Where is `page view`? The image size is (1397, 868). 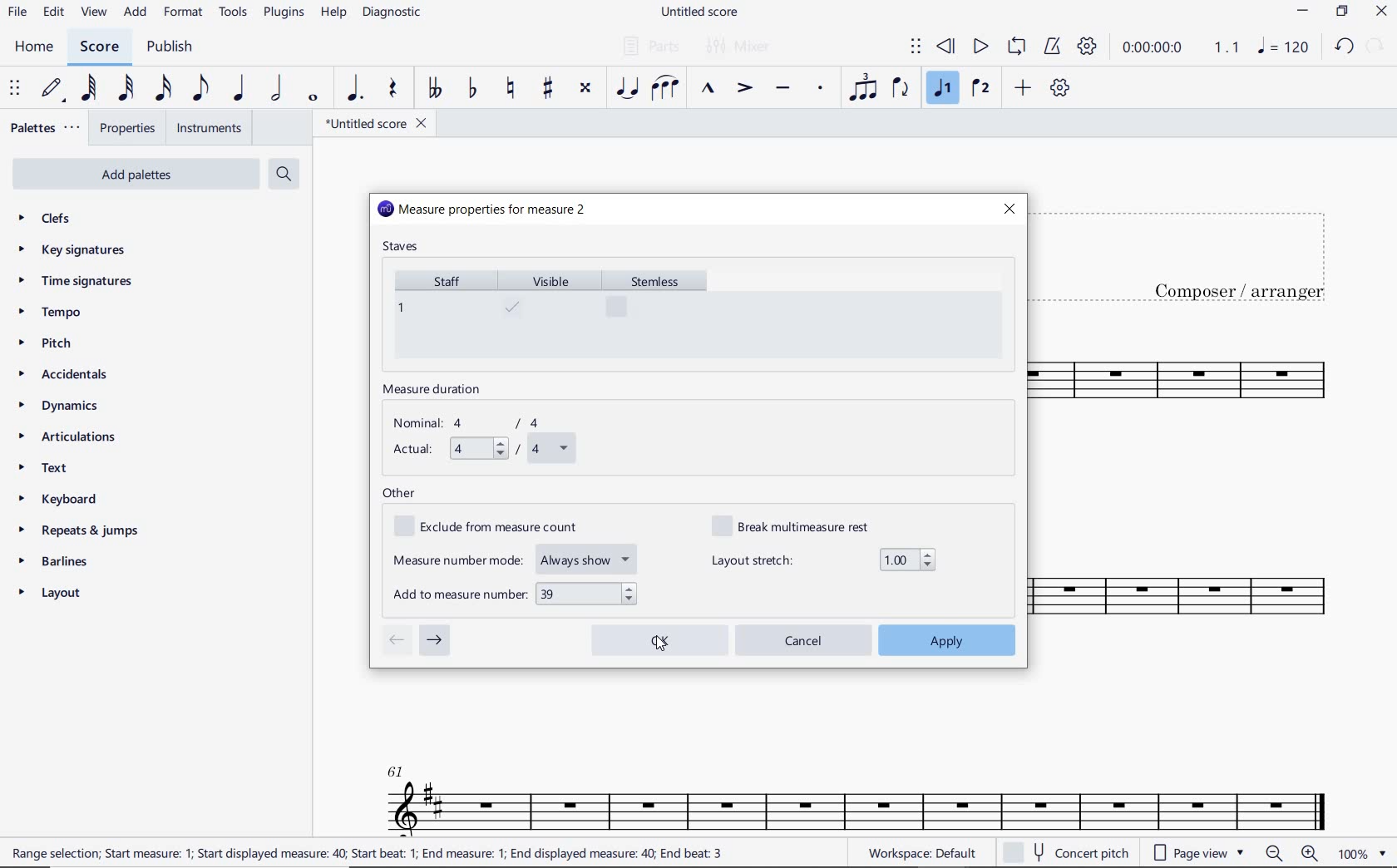
page view is located at coordinates (1196, 852).